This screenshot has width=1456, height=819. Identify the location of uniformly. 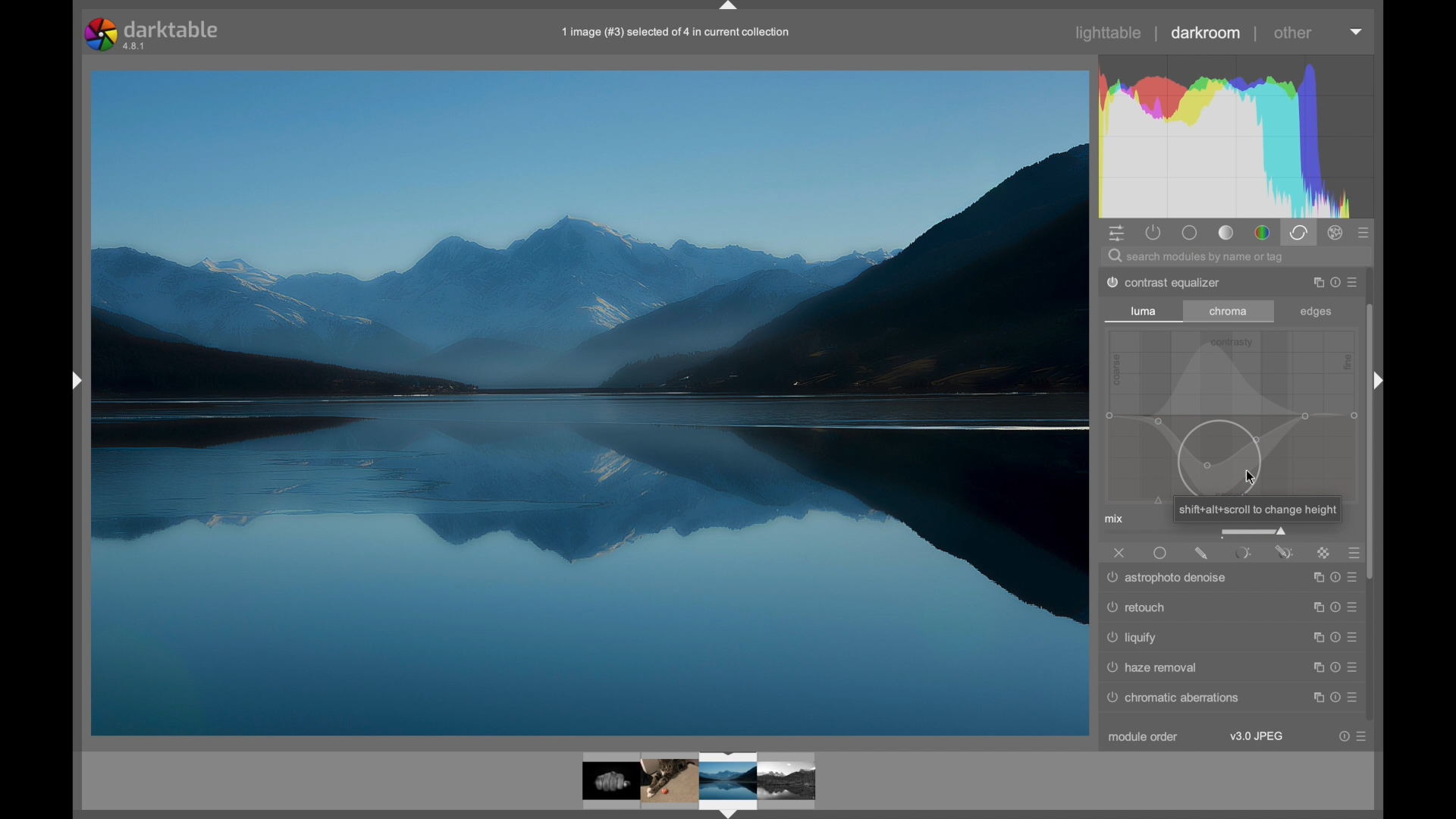
(1161, 553).